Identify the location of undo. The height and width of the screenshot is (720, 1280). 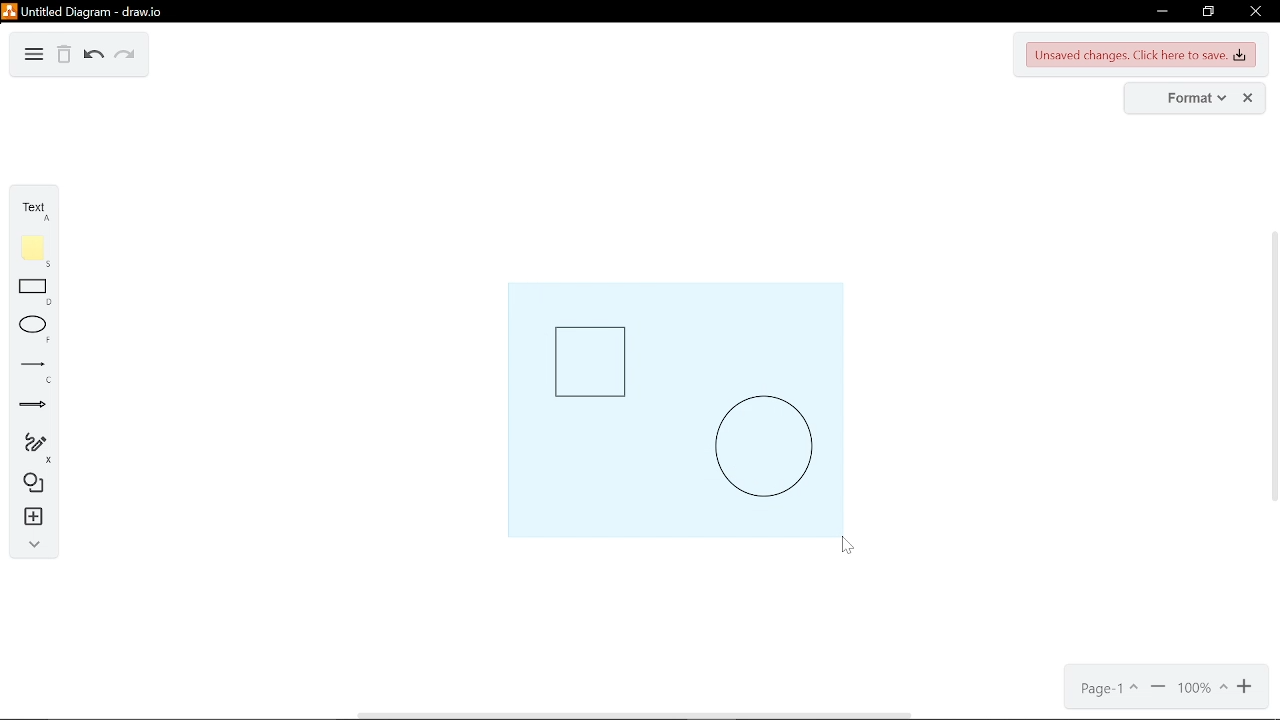
(92, 57).